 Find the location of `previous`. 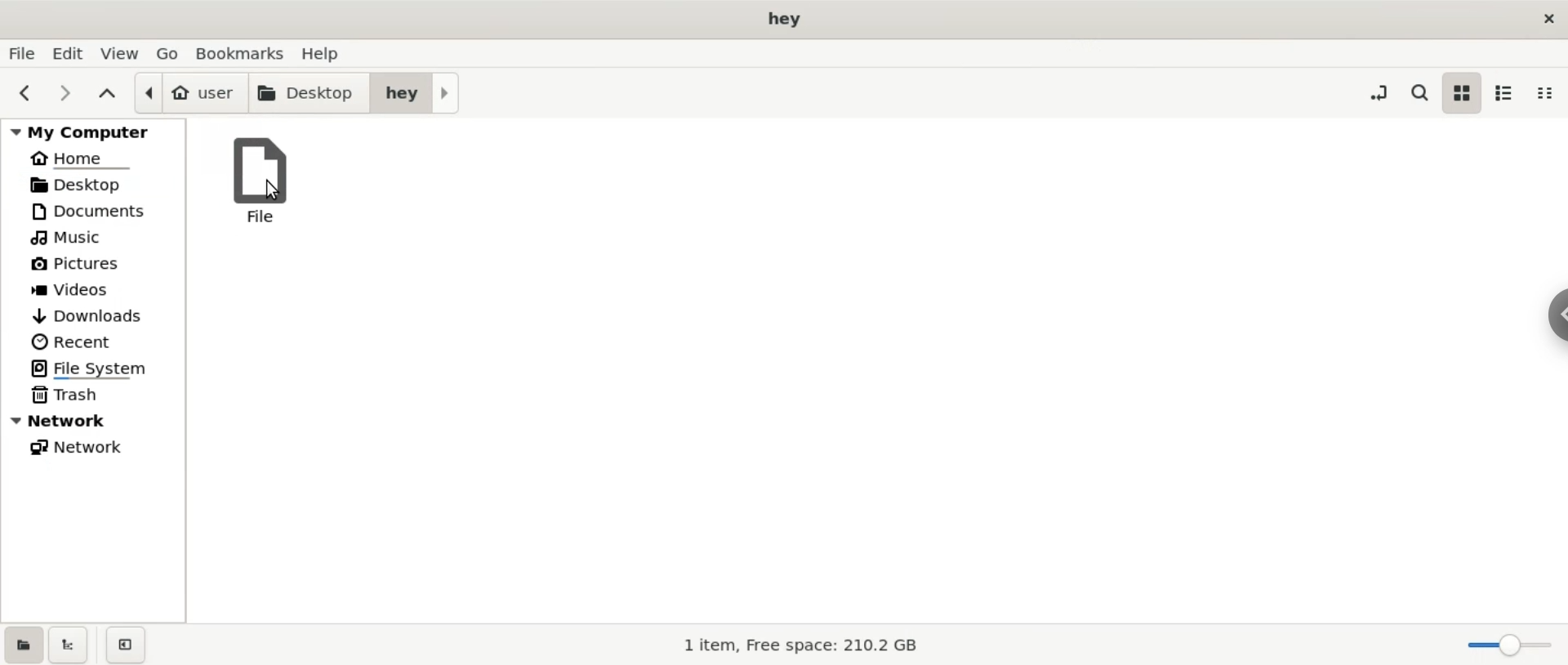

previous is located at coordinates (25, 94).